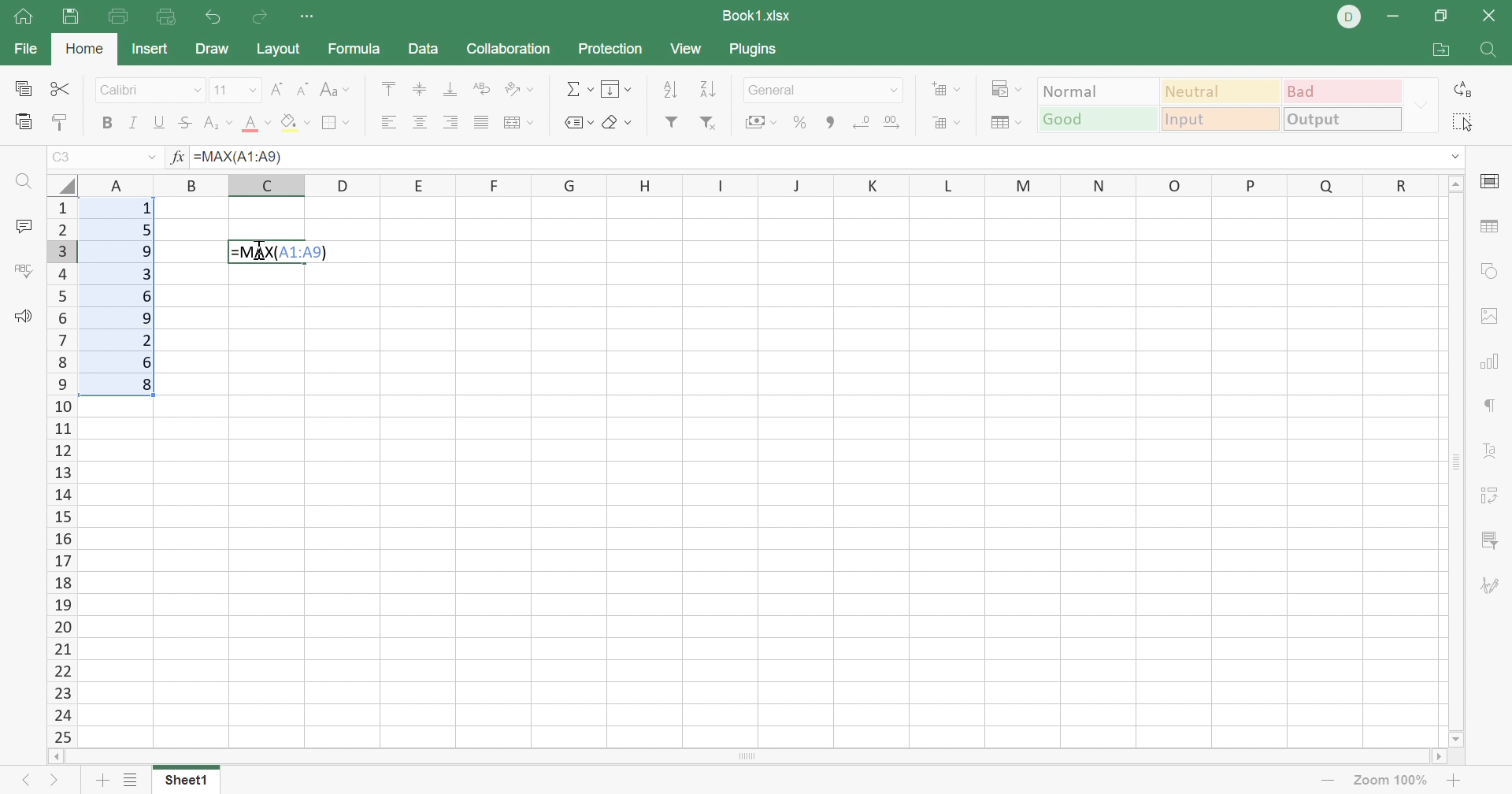  What do you see at coordinates (224, 90) in the screenshot?
I see `font size` at bounding box center [224, 90].